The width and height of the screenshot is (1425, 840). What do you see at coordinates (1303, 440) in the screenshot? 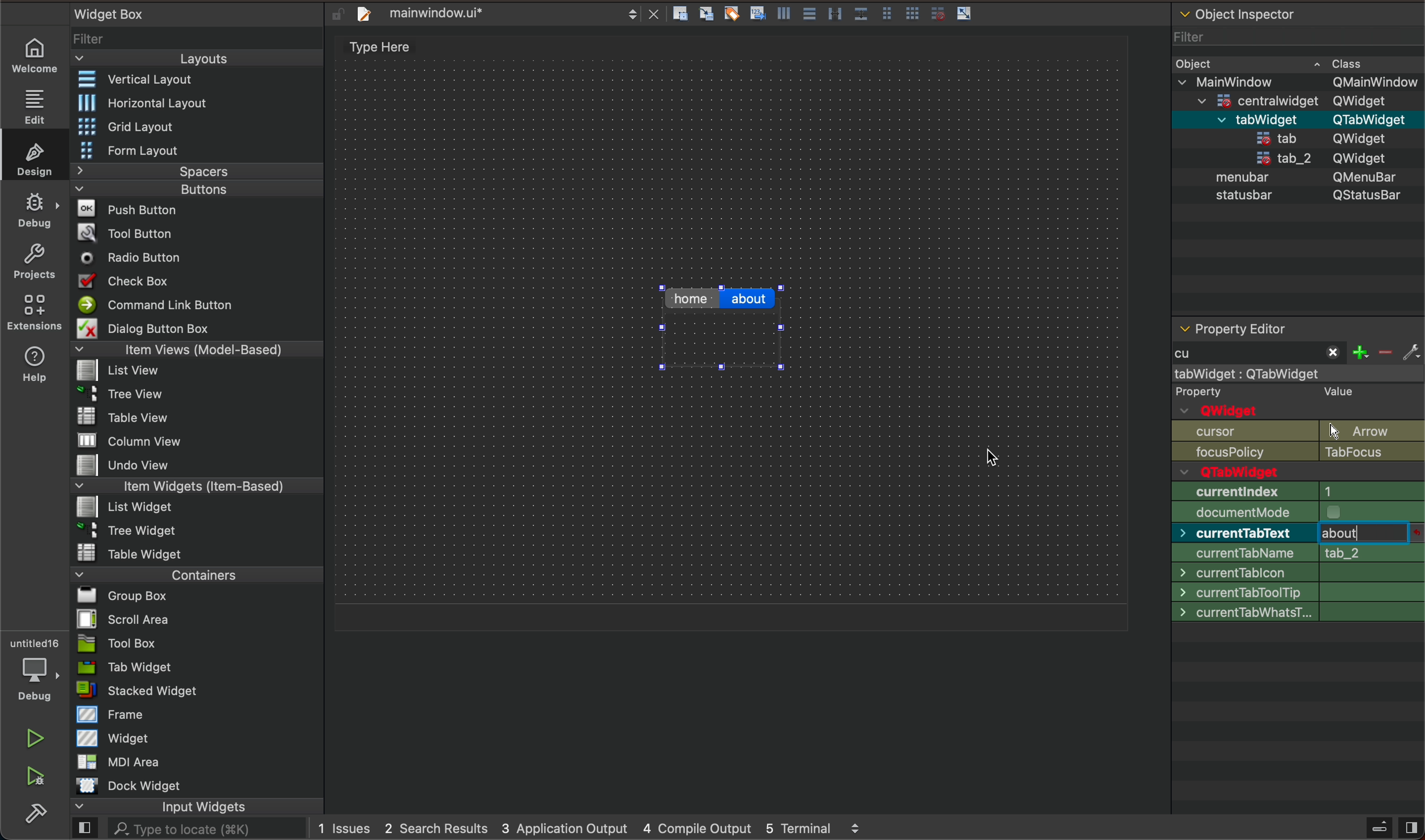
I see `object name and Qwidget` at bounding box center [1303, 440].